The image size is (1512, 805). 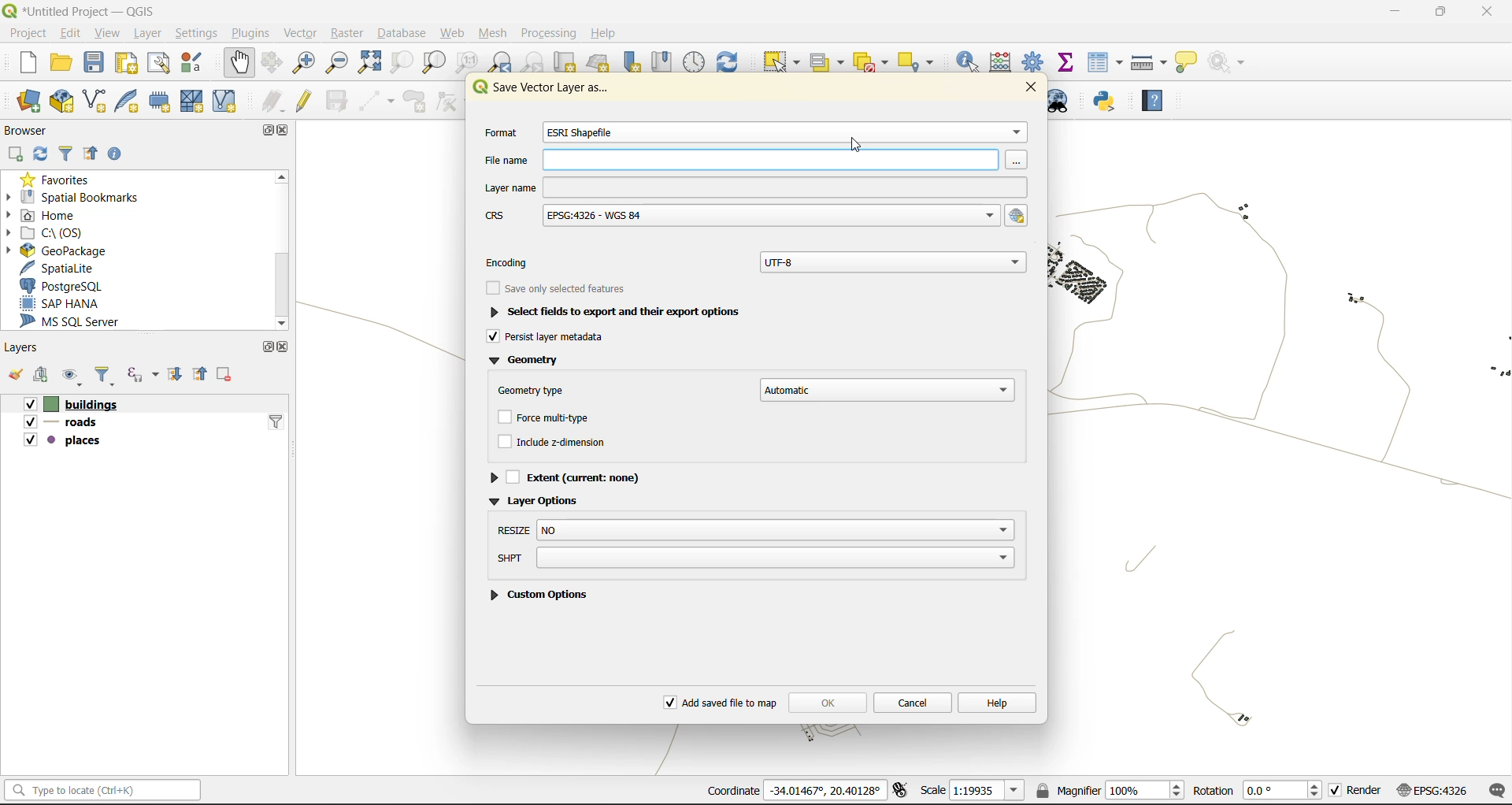 I want to click on crs, so click(x=1435, y=789).